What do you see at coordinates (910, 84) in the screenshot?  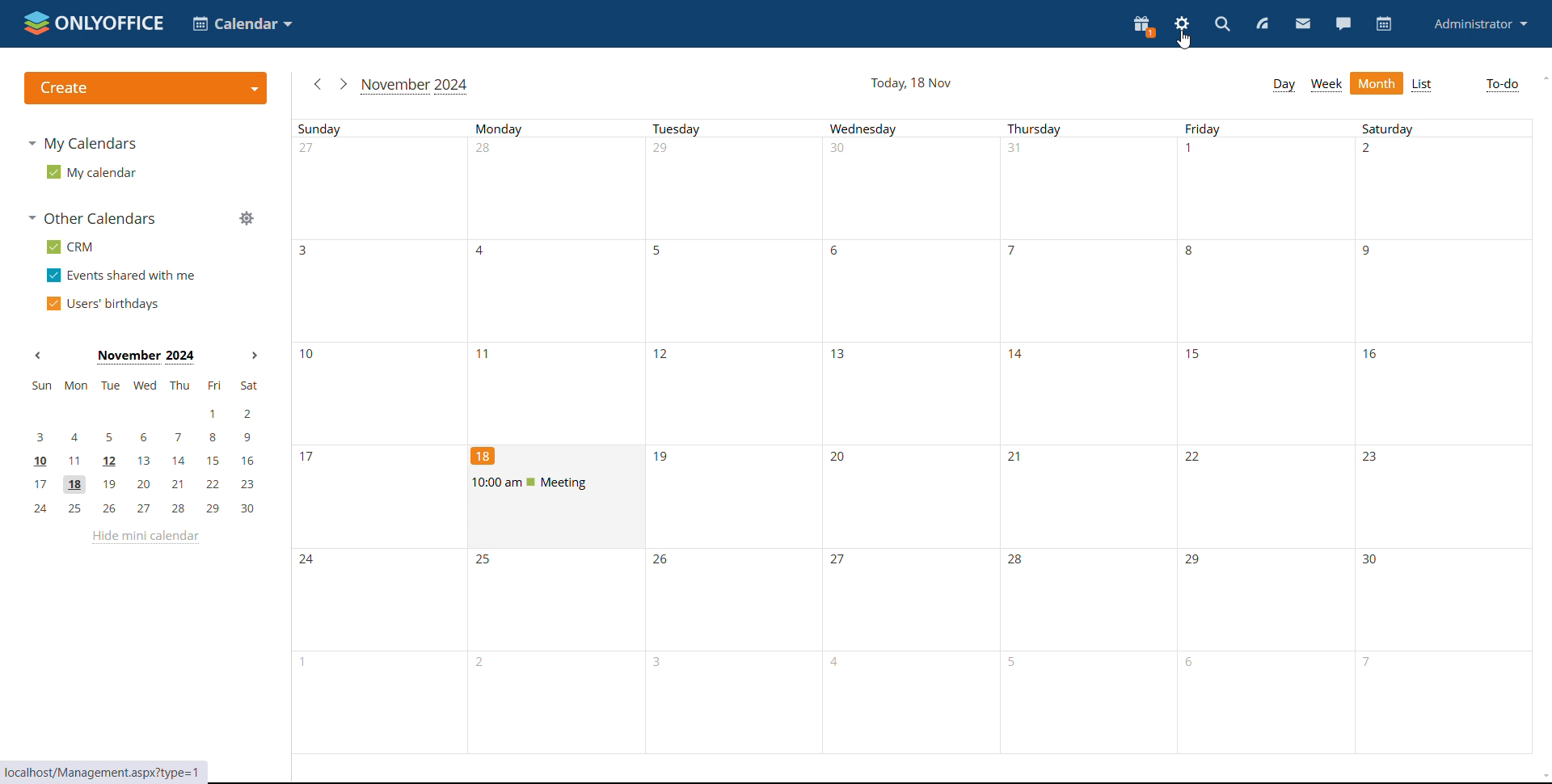 I see `current date` at bounding box center [910, 84].